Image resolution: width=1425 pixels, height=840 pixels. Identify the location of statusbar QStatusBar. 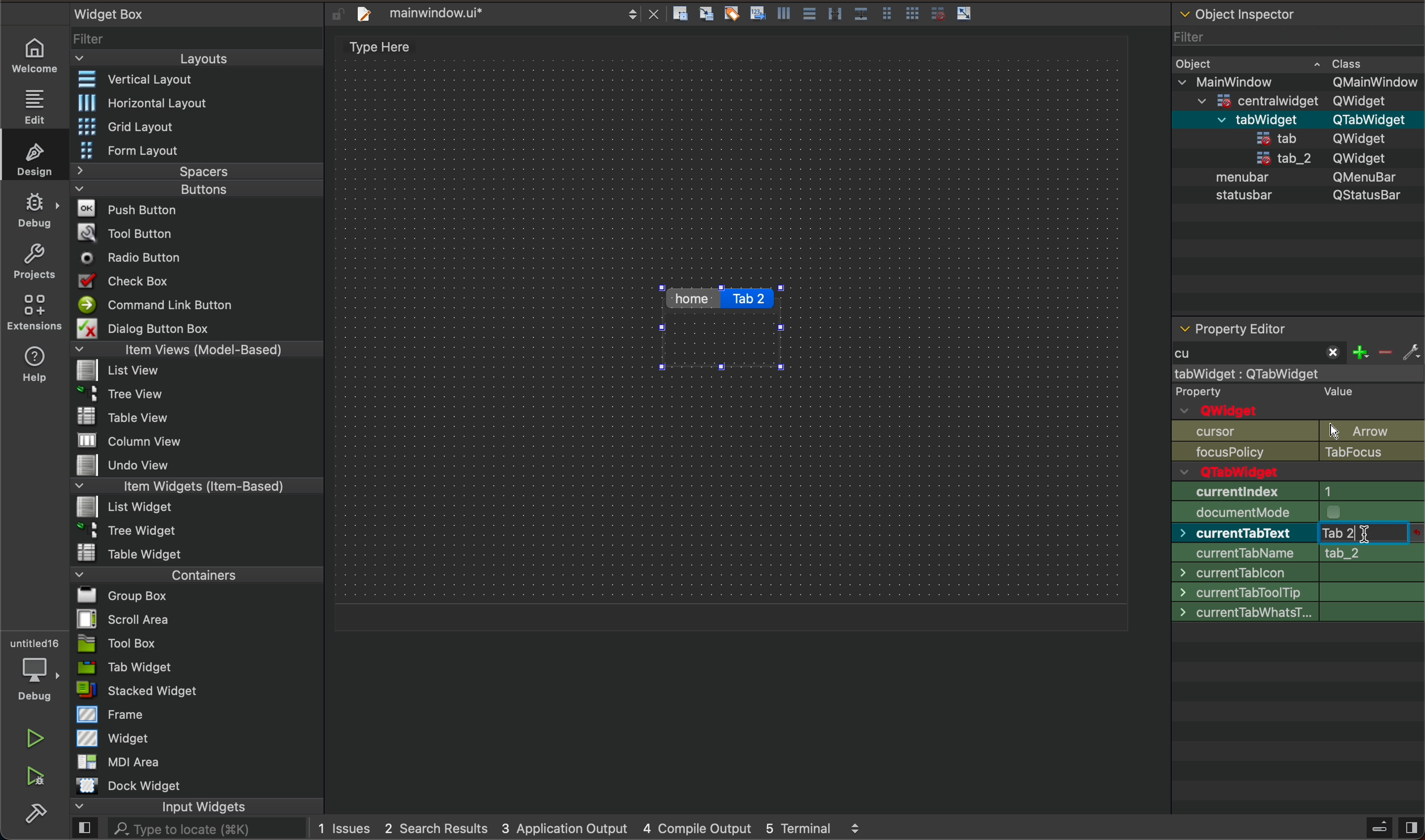
(1296, 138).